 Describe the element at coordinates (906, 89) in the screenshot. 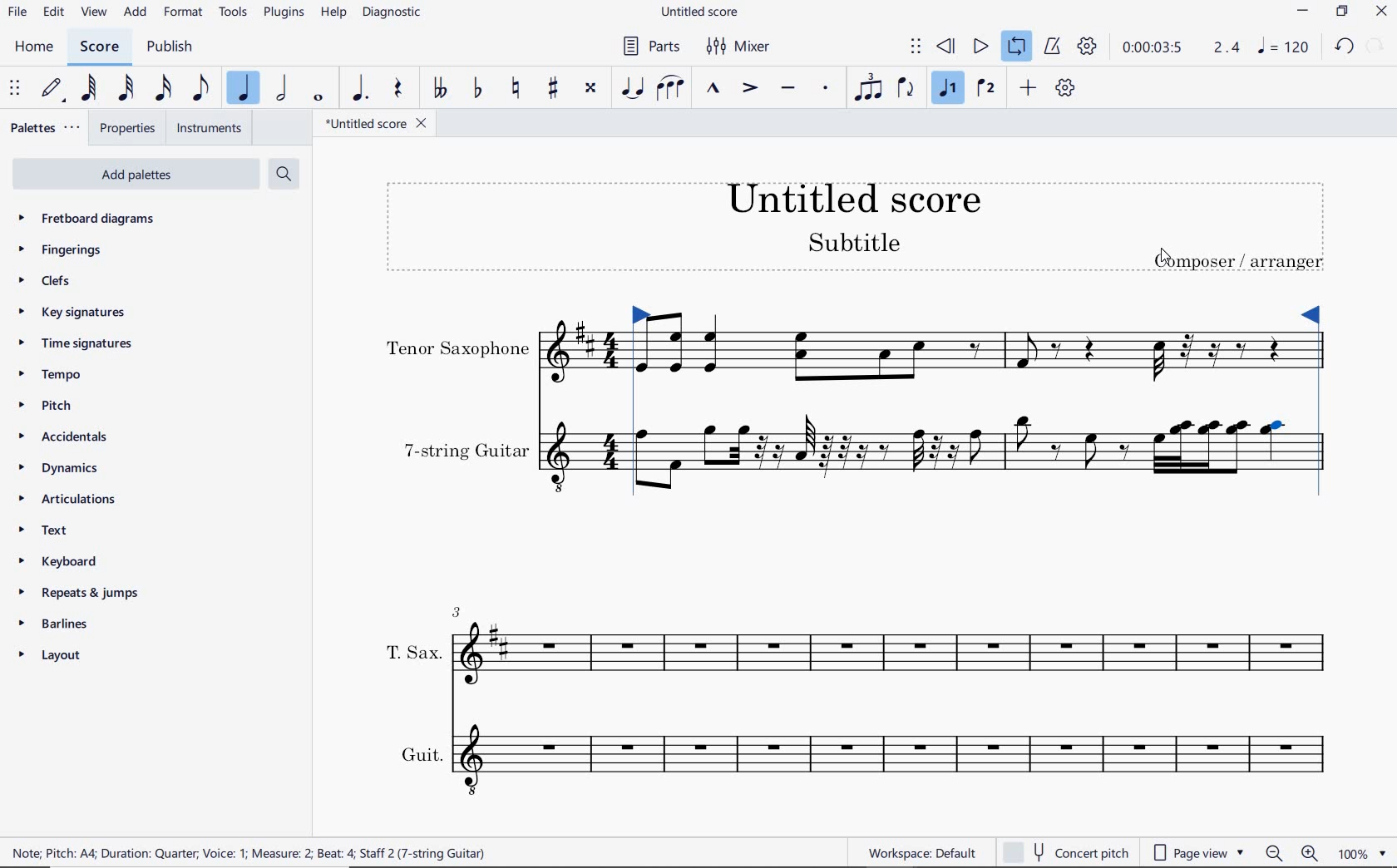

I see `FLIP DIRECTION` at that location.